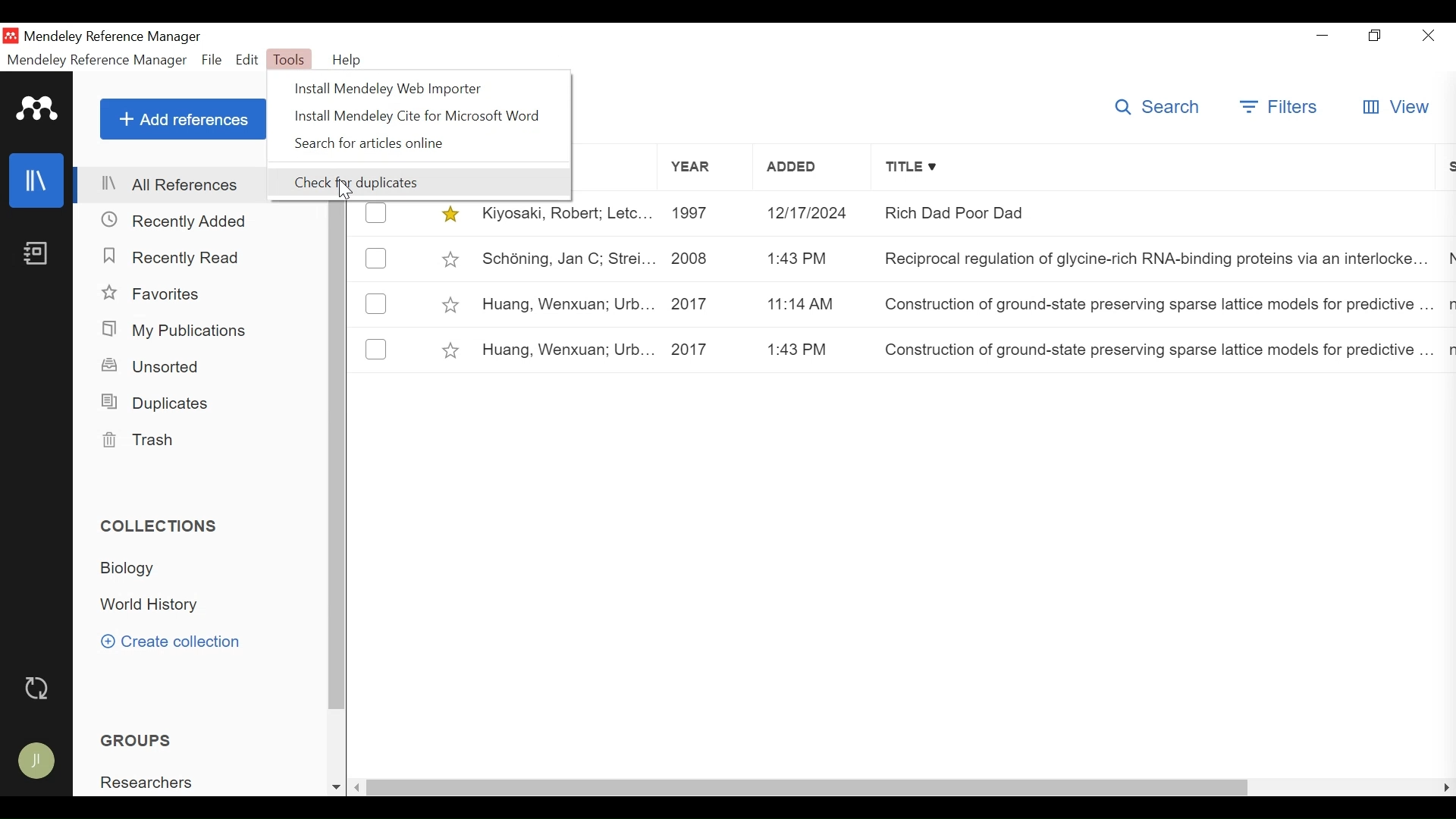 This screenshot has height=819, width=1456. Describe the element at coordinates (429, 117) in the screenshot. I see `Install Mendeley Cite for Microsoft Word` at that location.